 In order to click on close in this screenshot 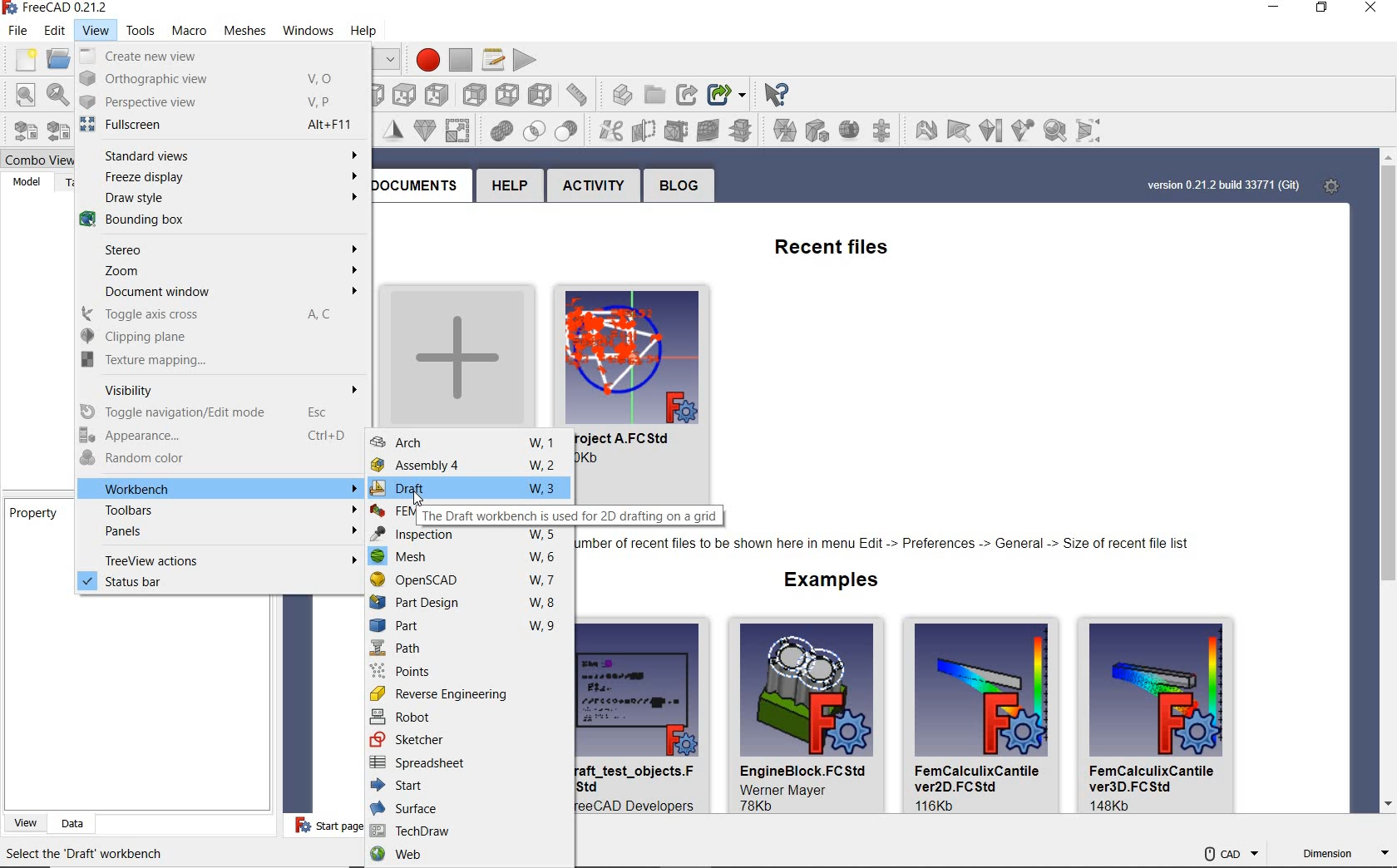, I will do `click(1367, 11)`.